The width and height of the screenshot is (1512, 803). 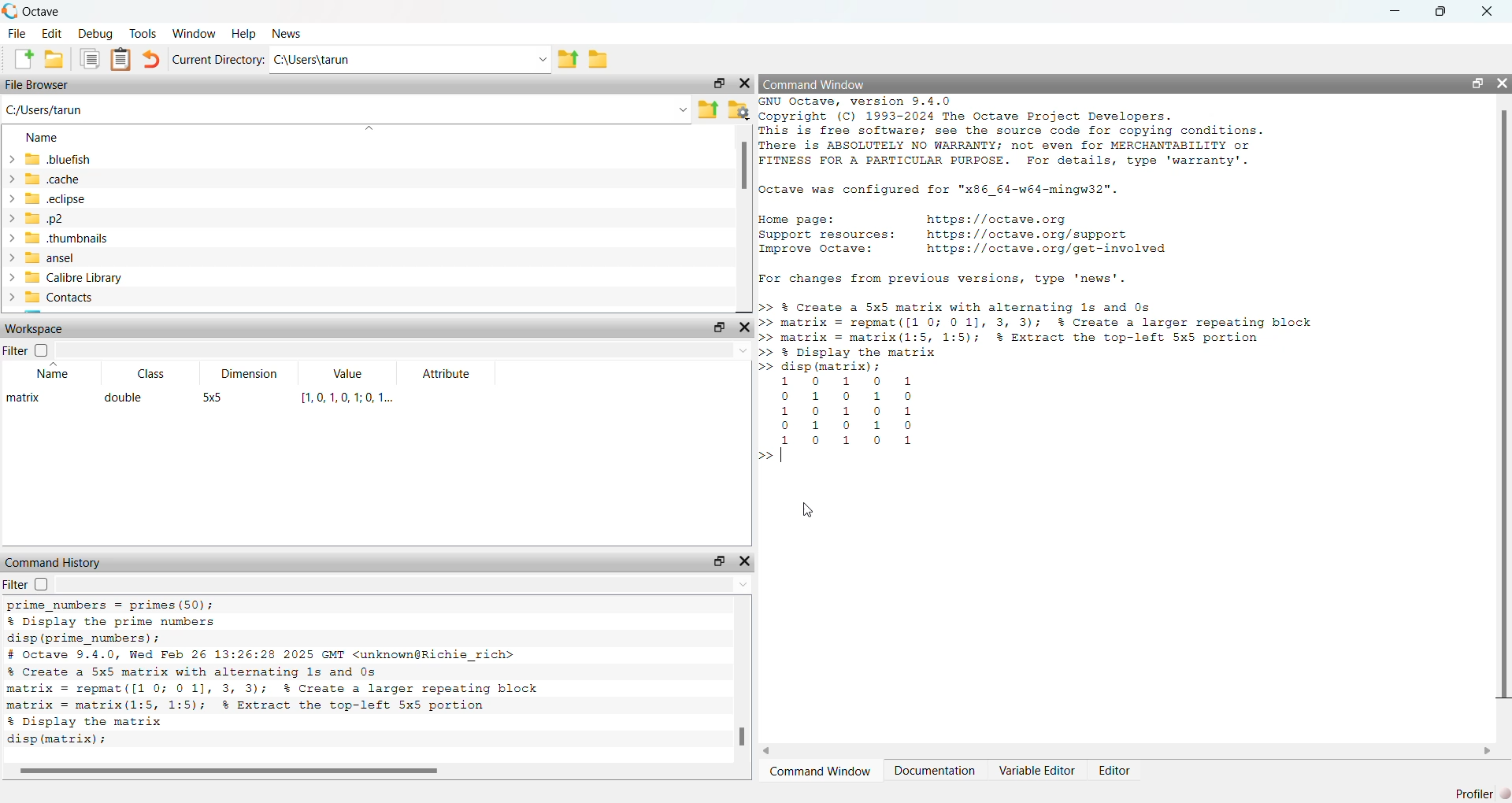 I want to click on close, so click(x=745, y=83).